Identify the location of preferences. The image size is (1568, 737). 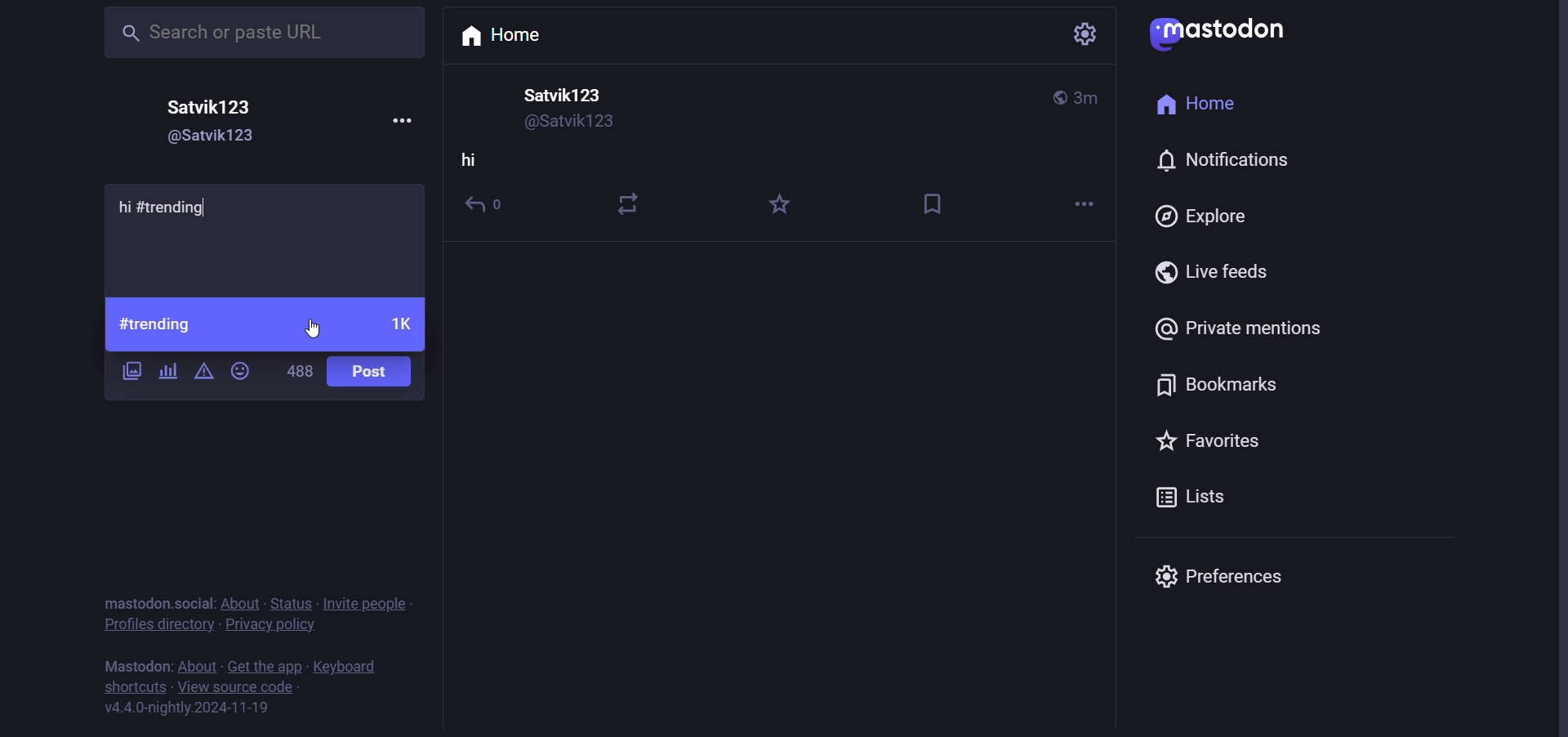
(1219, 573).